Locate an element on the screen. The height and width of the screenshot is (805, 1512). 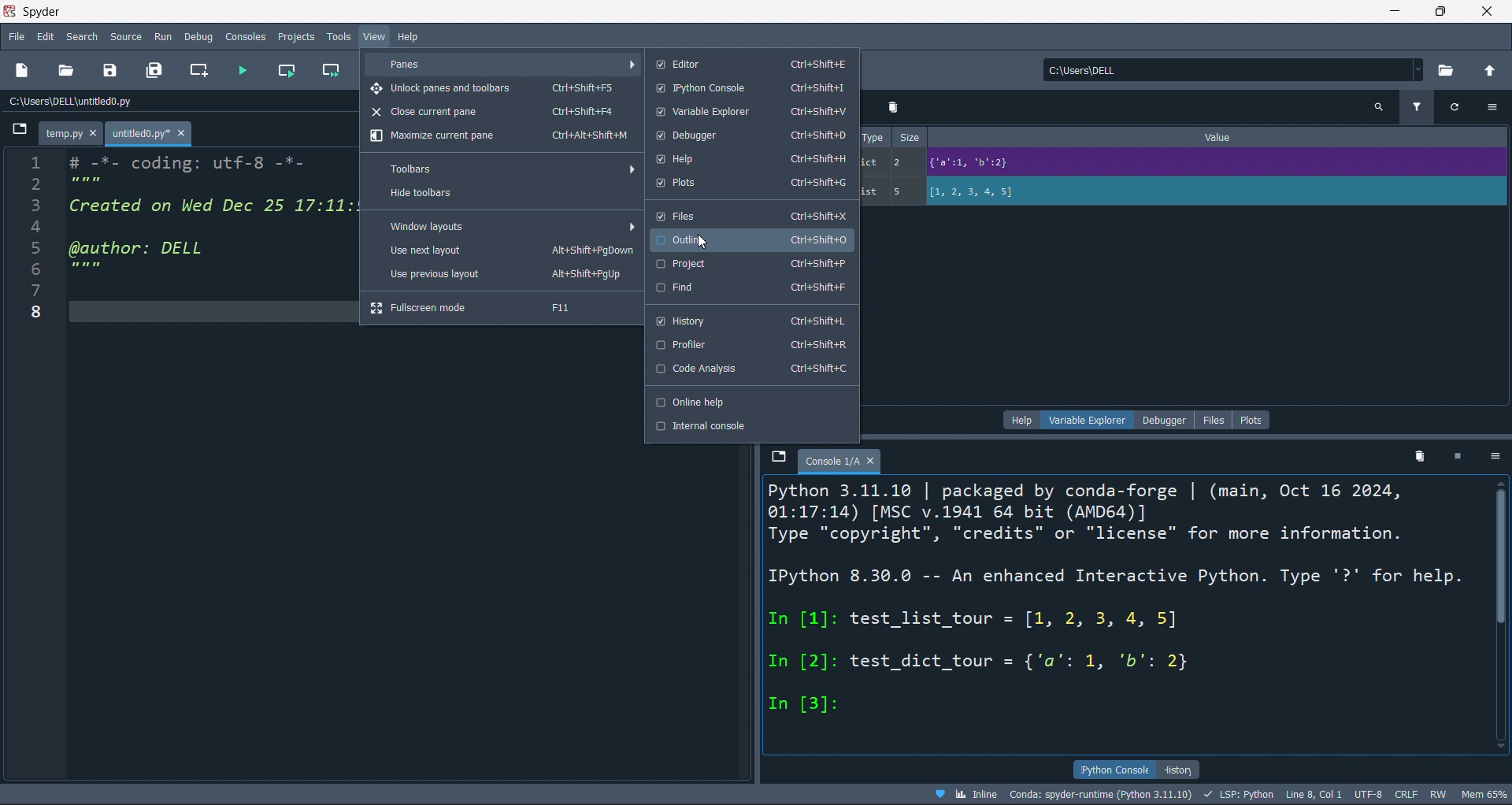
search is located at coordinates (1377, 106).